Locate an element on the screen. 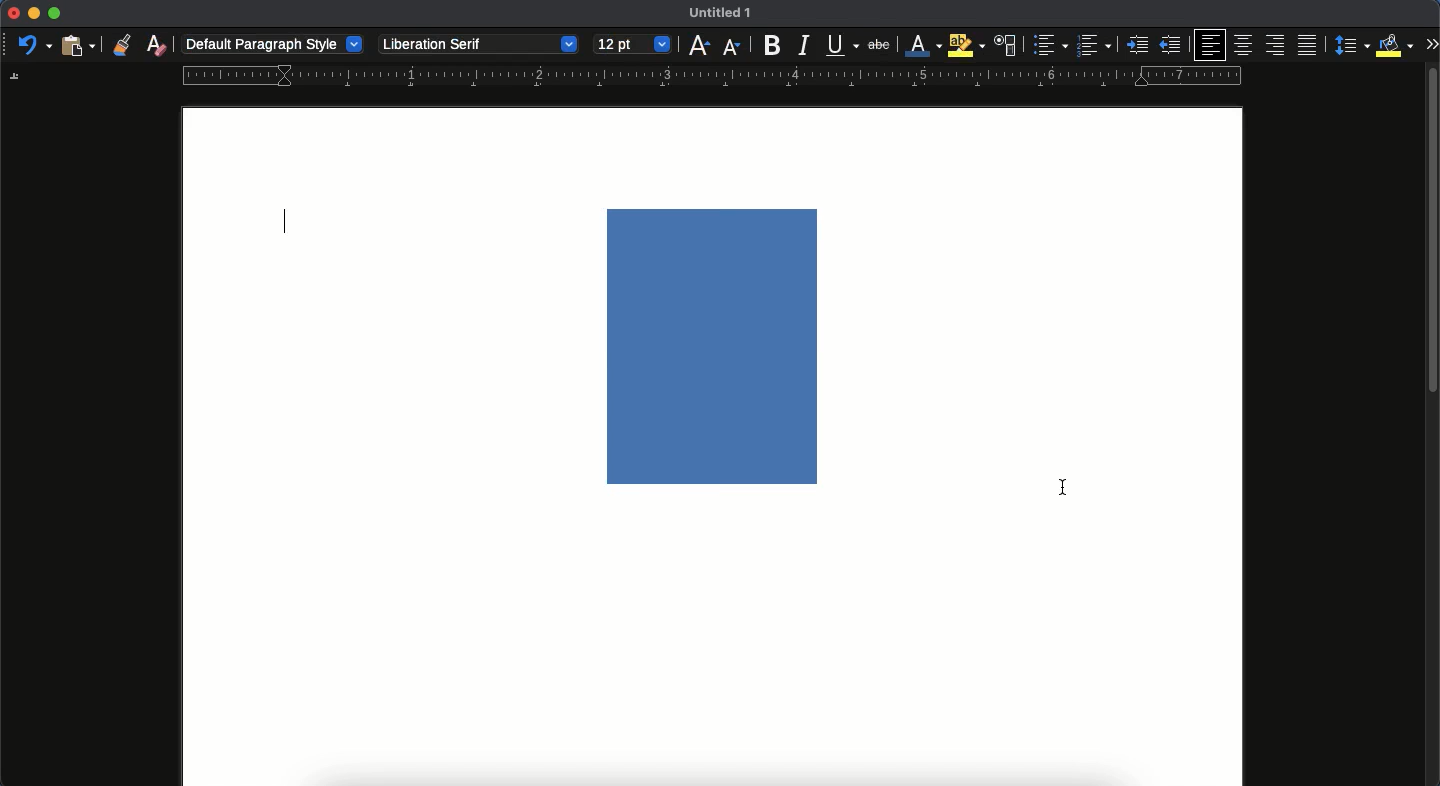 Image resolution: width=1440 pixels, height=786 pixels. character is located at coordinates (1006, 46).